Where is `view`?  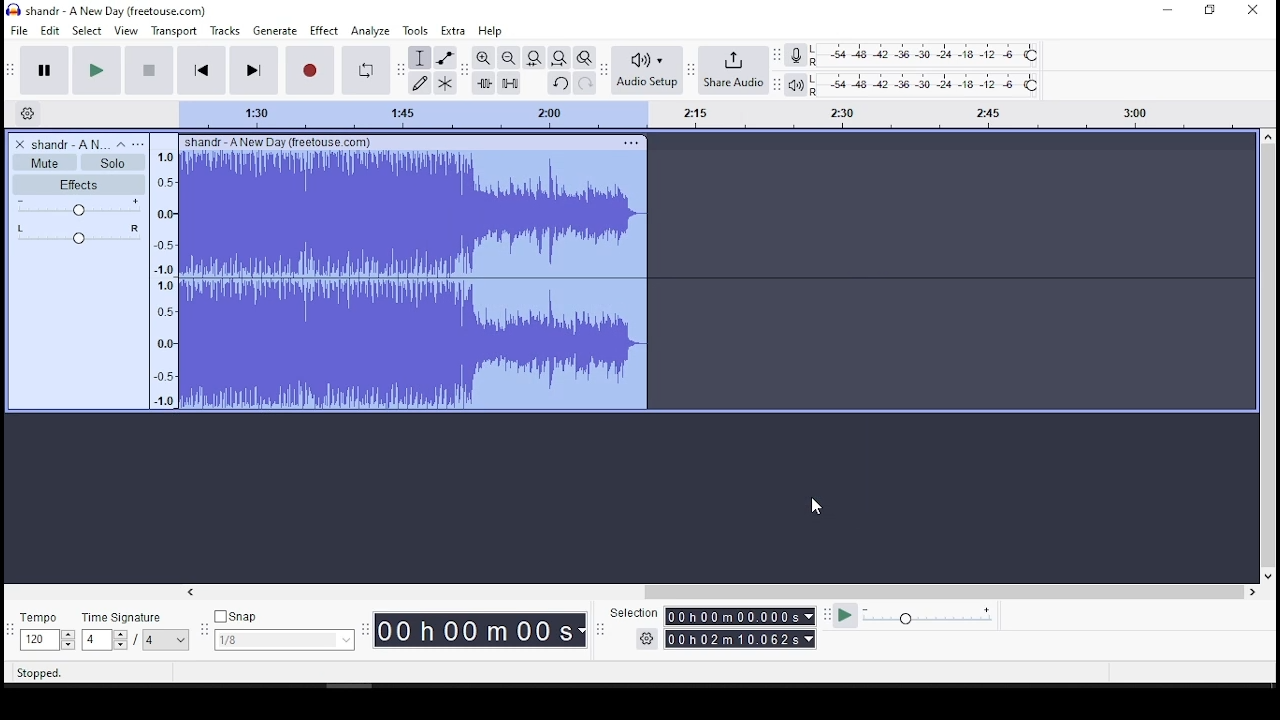 view is located at coordinates (127, 31).